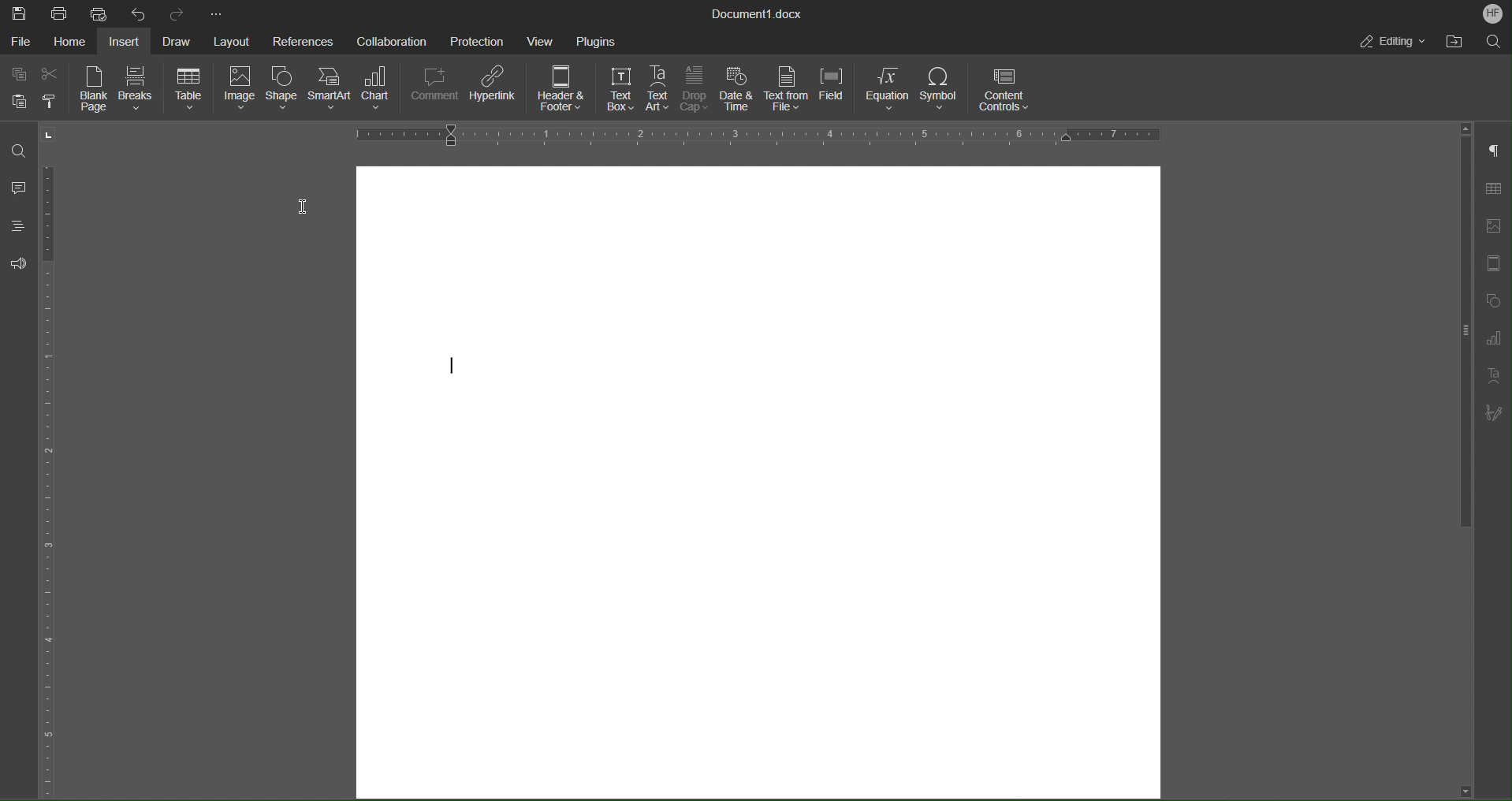  Describe the element at coordinates (753, 13) in the screenshot. I see `Document Title` at that location.